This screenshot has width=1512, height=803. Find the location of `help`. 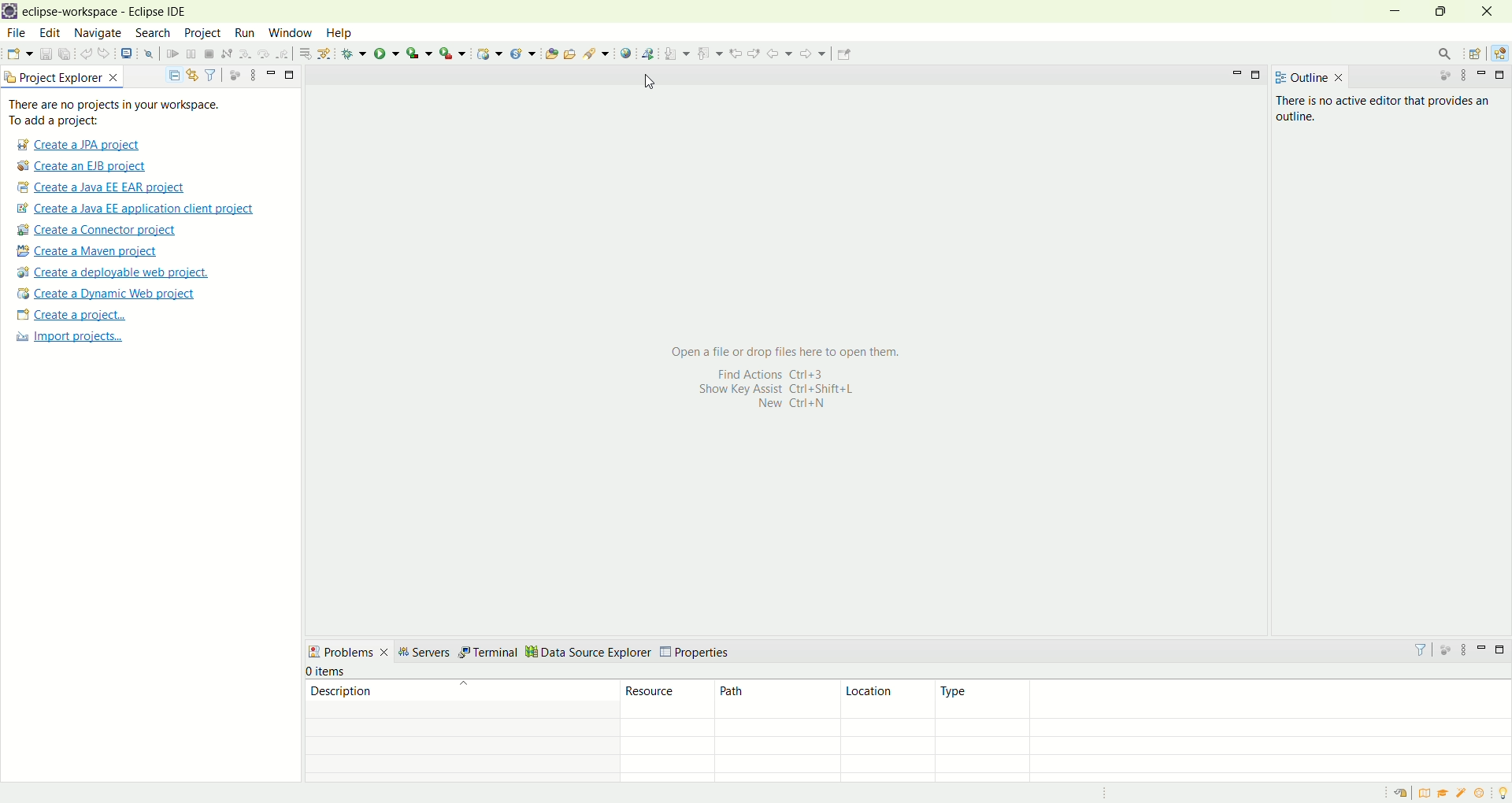

help is located at coordinates (339, 35).